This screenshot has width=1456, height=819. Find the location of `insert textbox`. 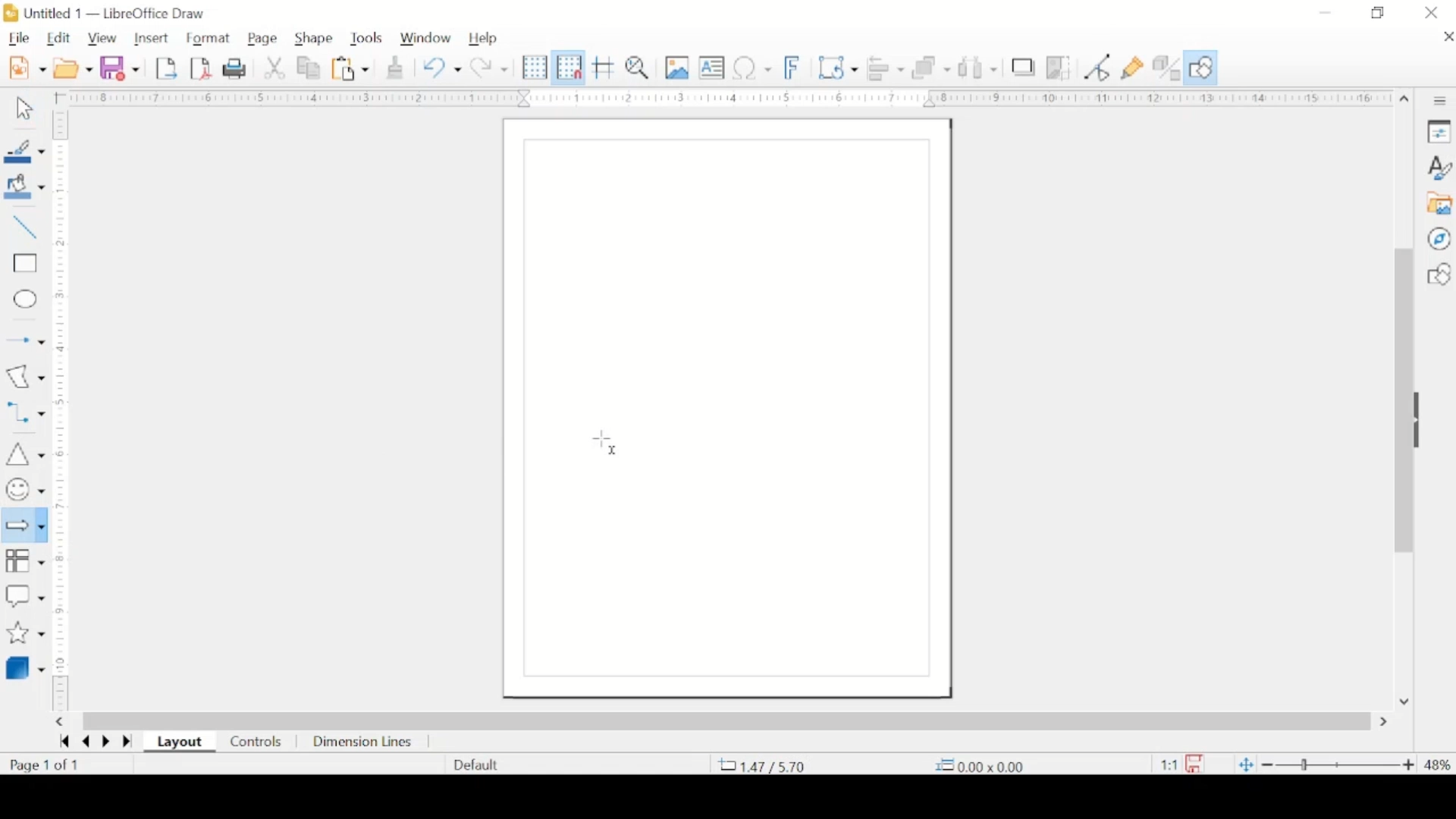

insert textbox is located at coordinates (711, 67).